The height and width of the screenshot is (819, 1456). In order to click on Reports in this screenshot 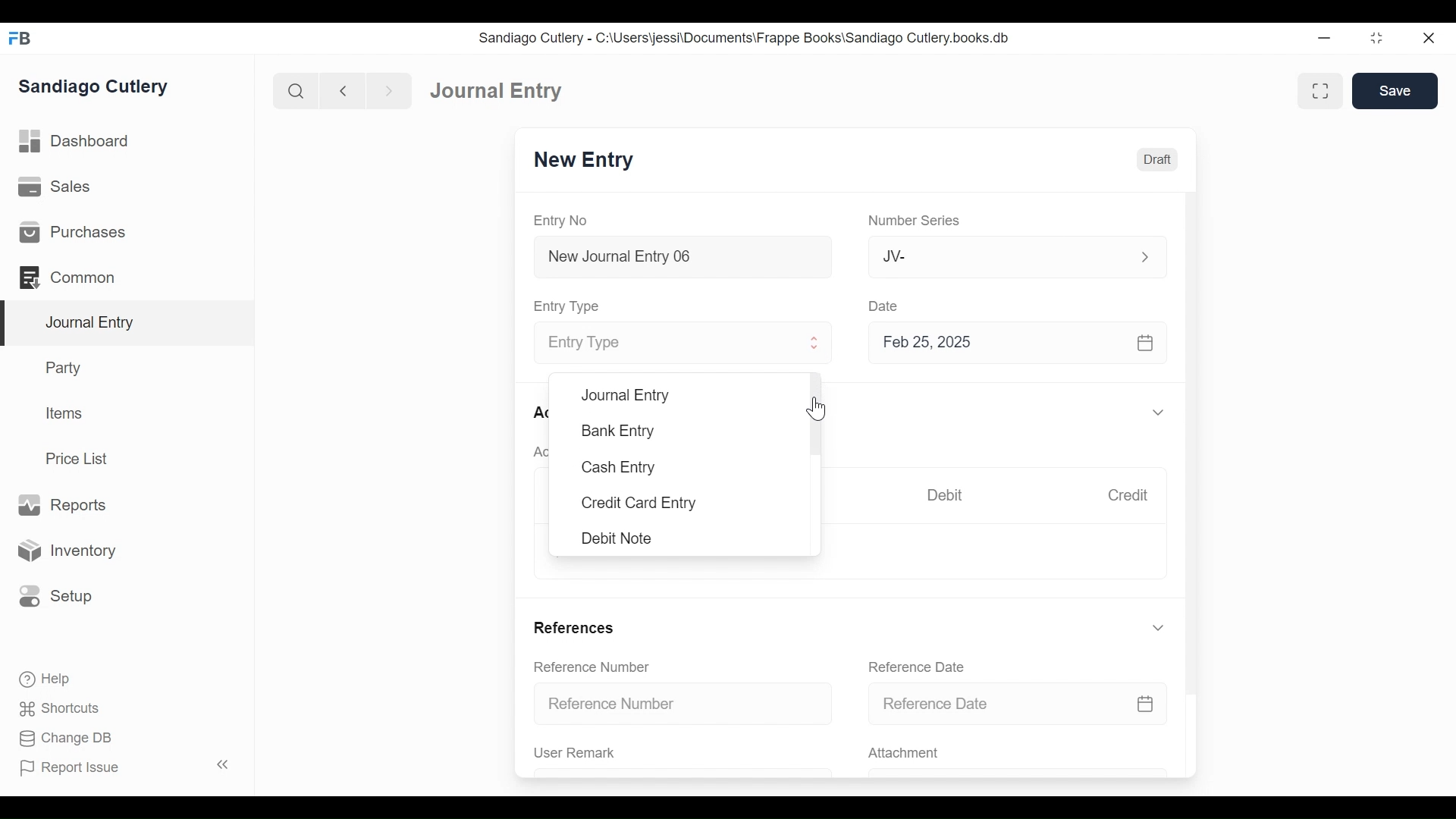, I will do `click(61, 506)`.